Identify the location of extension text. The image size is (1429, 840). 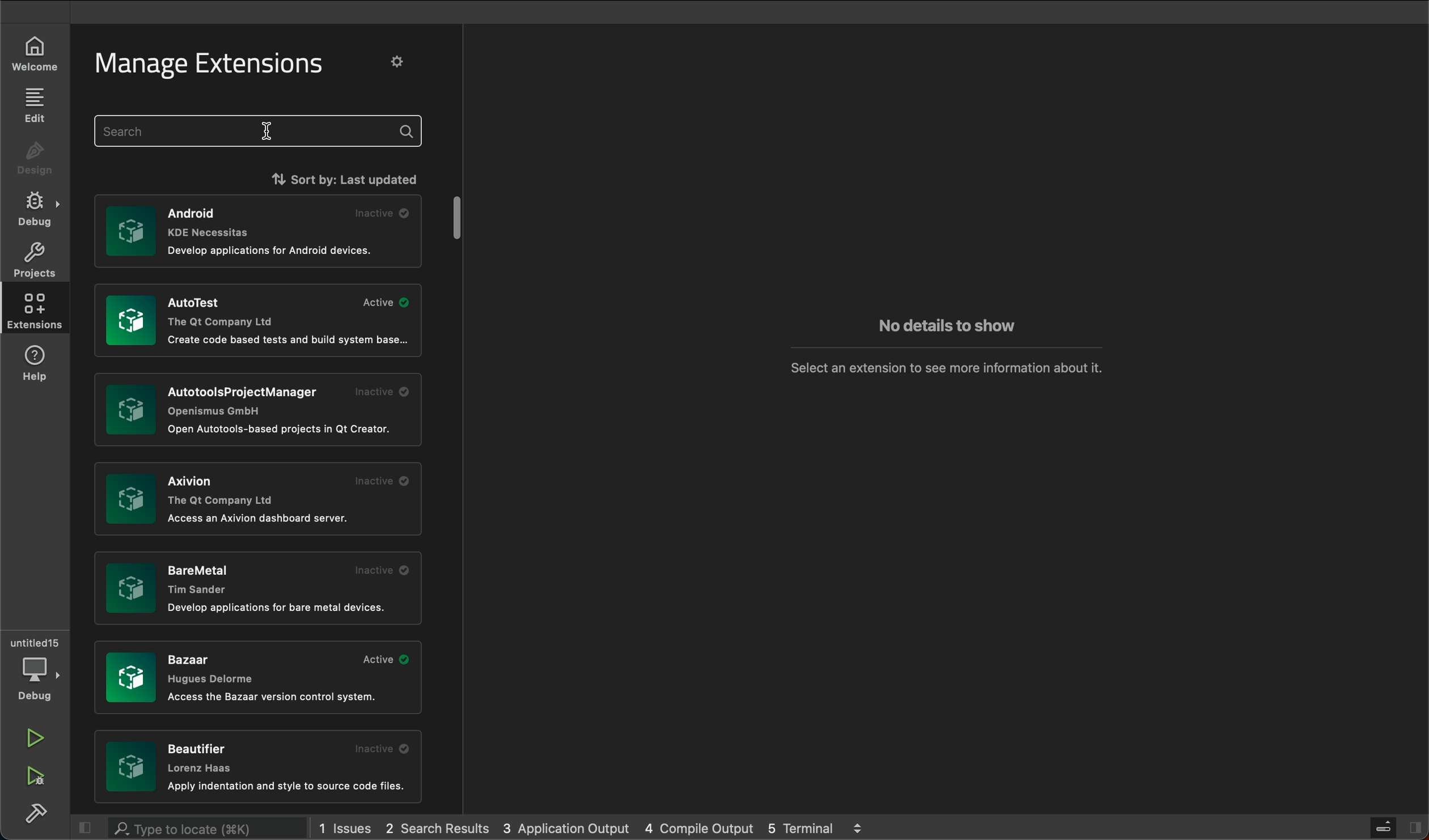
(260, 519).